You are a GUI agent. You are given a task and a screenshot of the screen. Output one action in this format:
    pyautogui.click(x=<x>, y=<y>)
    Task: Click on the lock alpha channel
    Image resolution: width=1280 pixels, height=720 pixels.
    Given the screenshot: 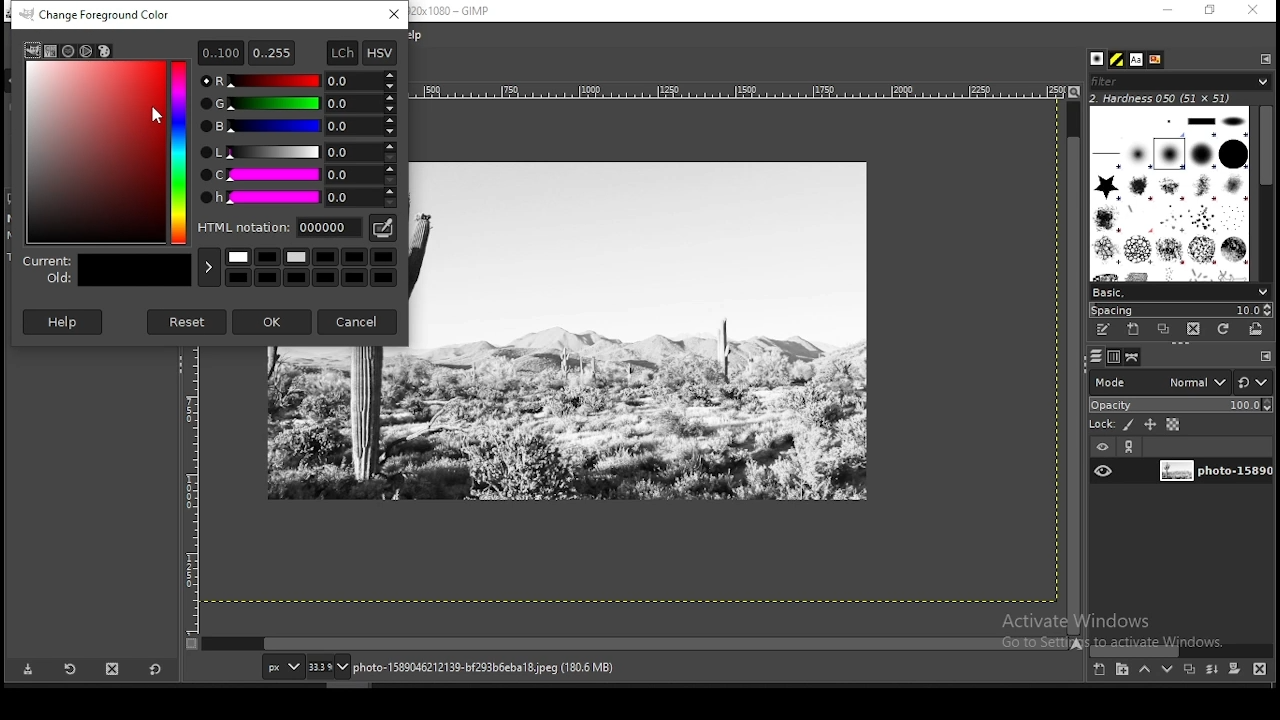 What is the action you would take?
    pyautogui.click(x=1172, y=424)
    